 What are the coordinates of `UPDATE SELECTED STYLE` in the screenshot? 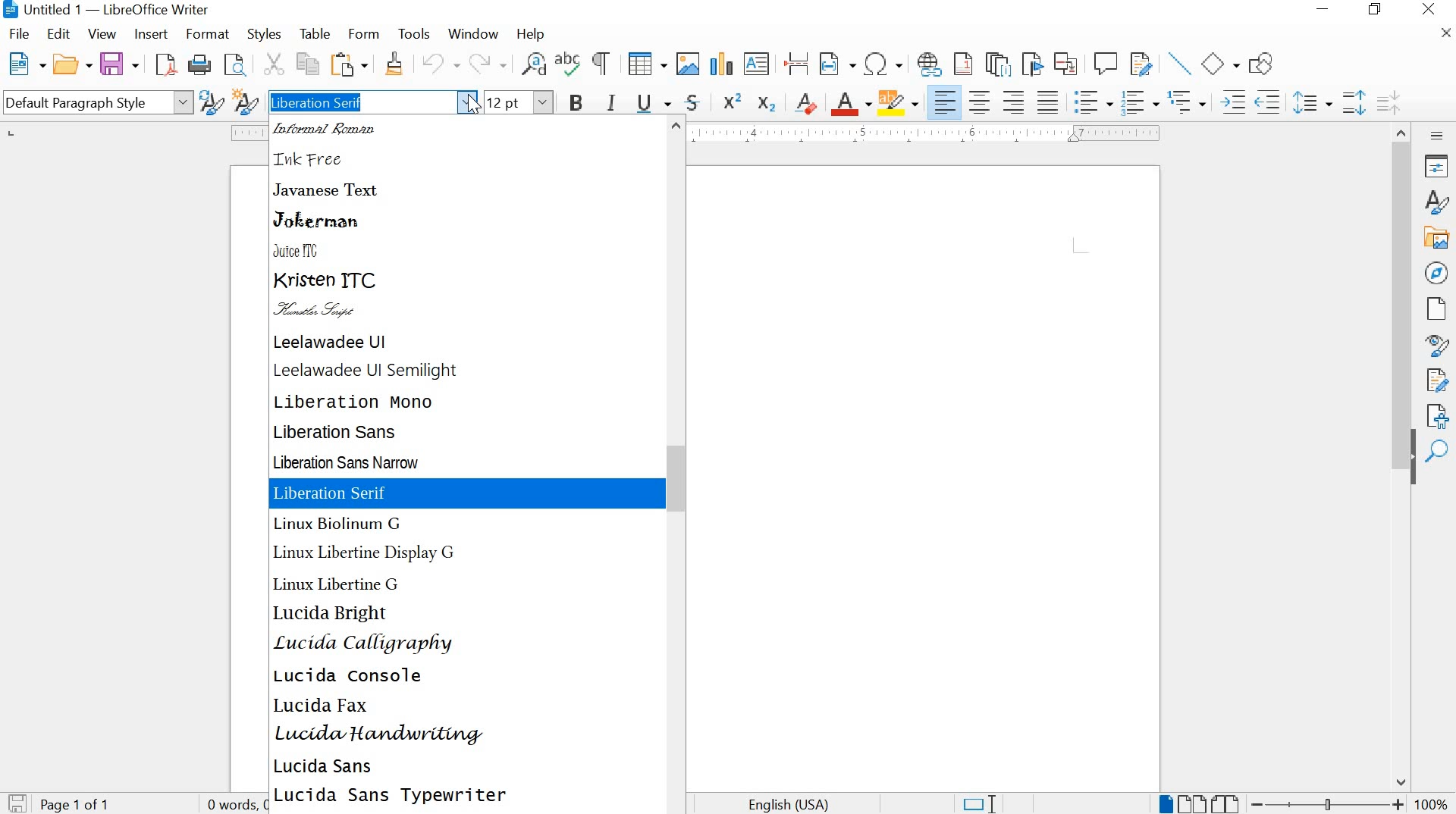 It's located at (210, 102).